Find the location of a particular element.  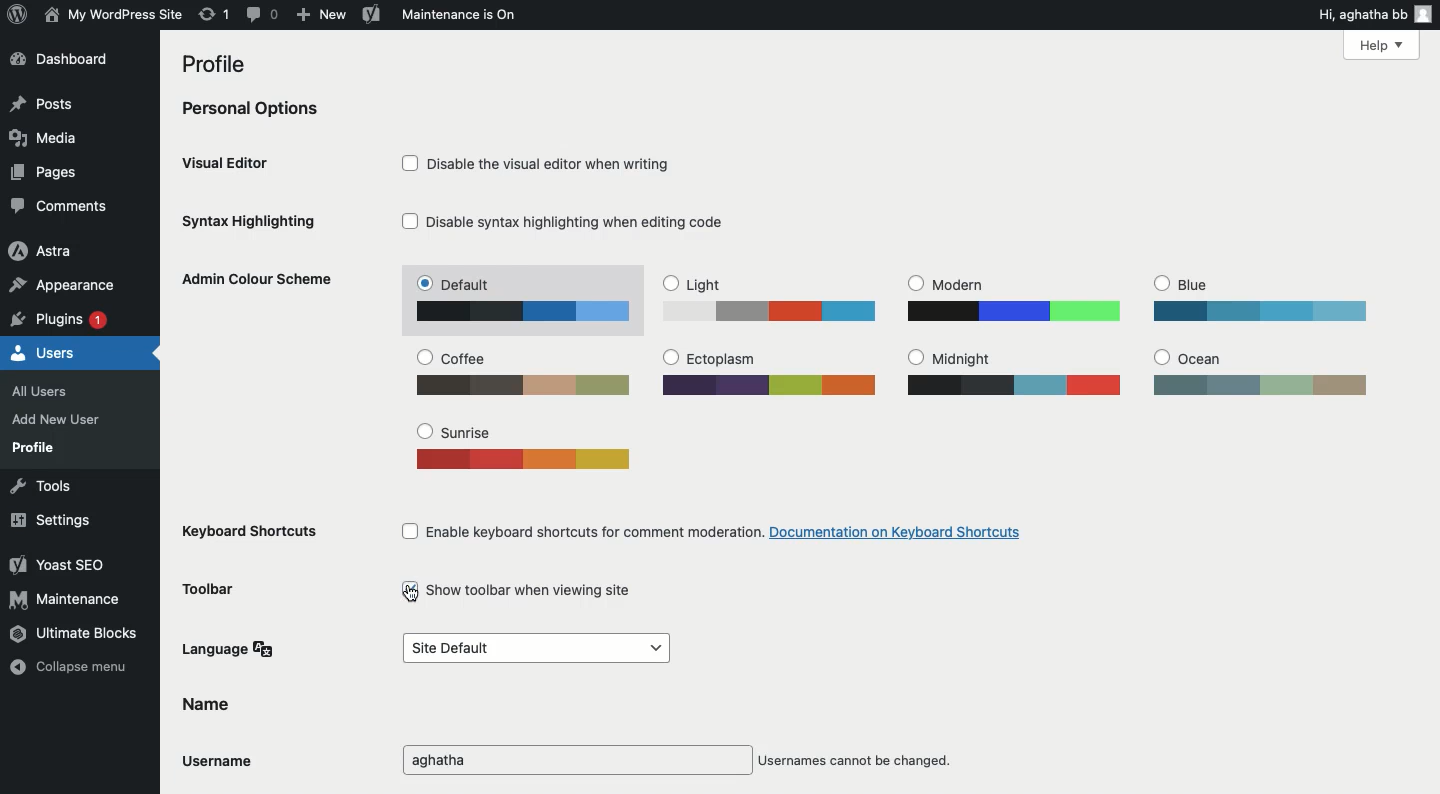

Toolbar is located at coordinates (211, 588).